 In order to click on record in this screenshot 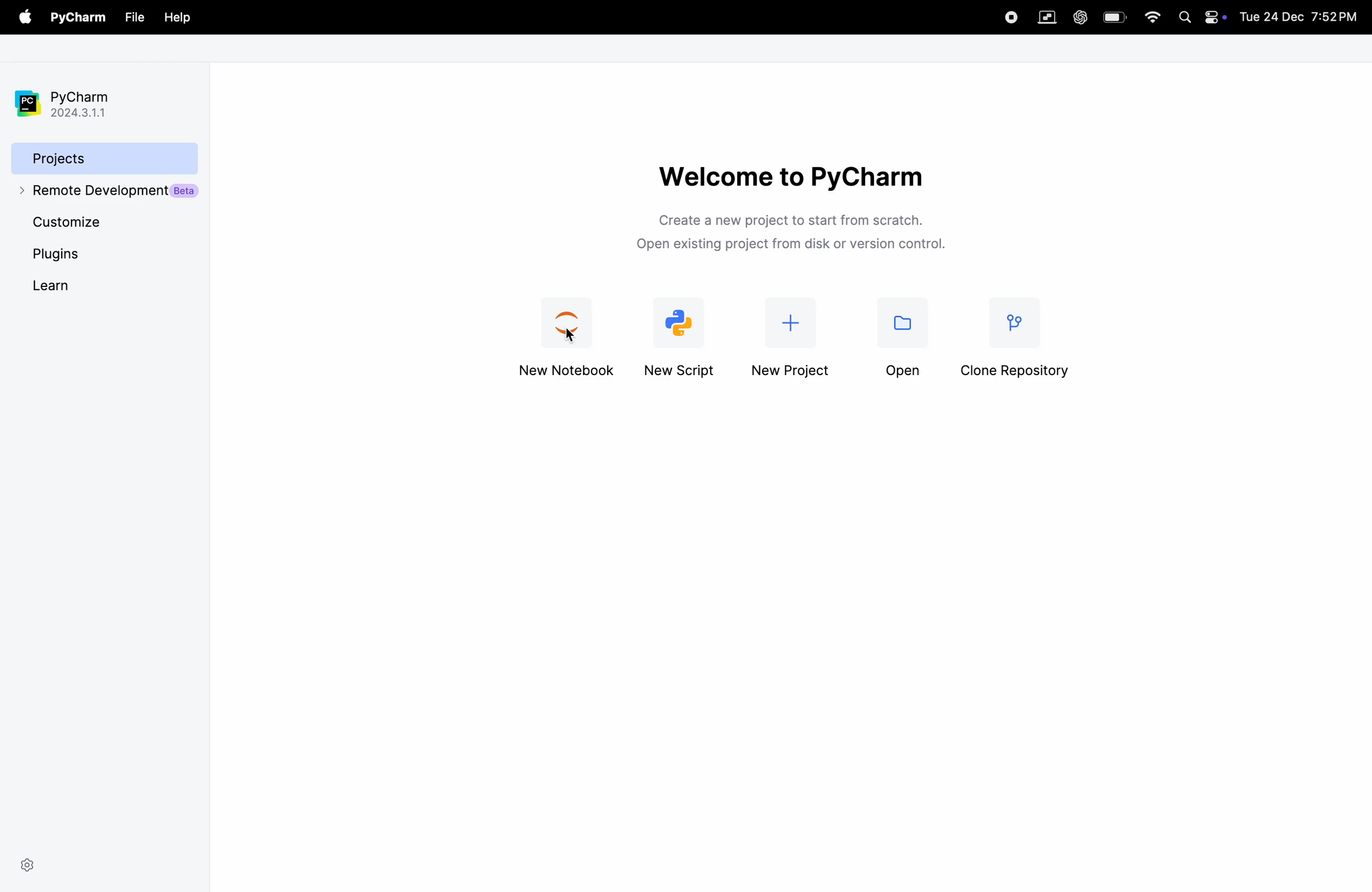, I will do `click(1011, 18)`.